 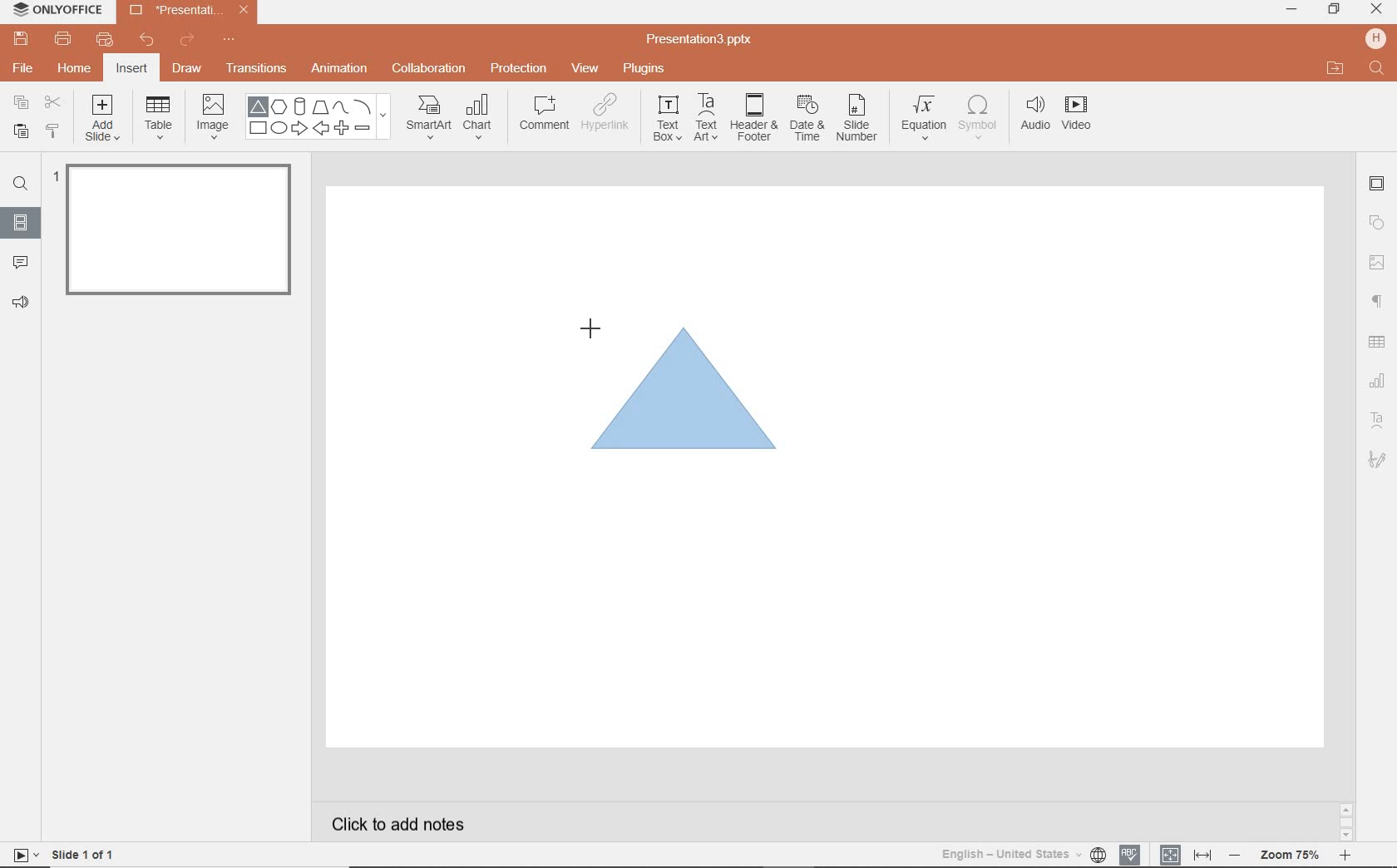 I want to click on SHAPE SETTINGS, so click(x=1375, y=222).